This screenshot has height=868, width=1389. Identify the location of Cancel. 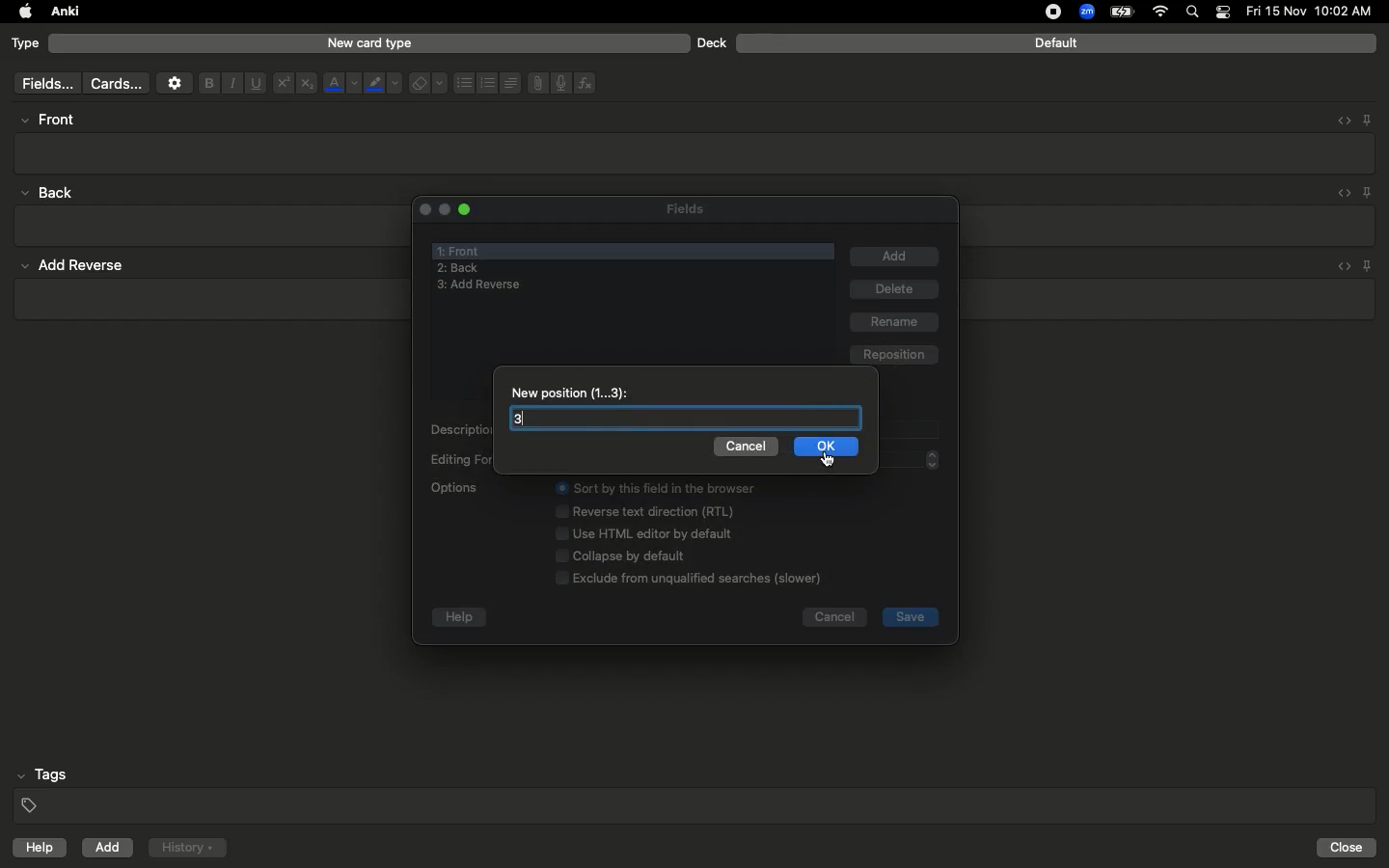
(833, 619).